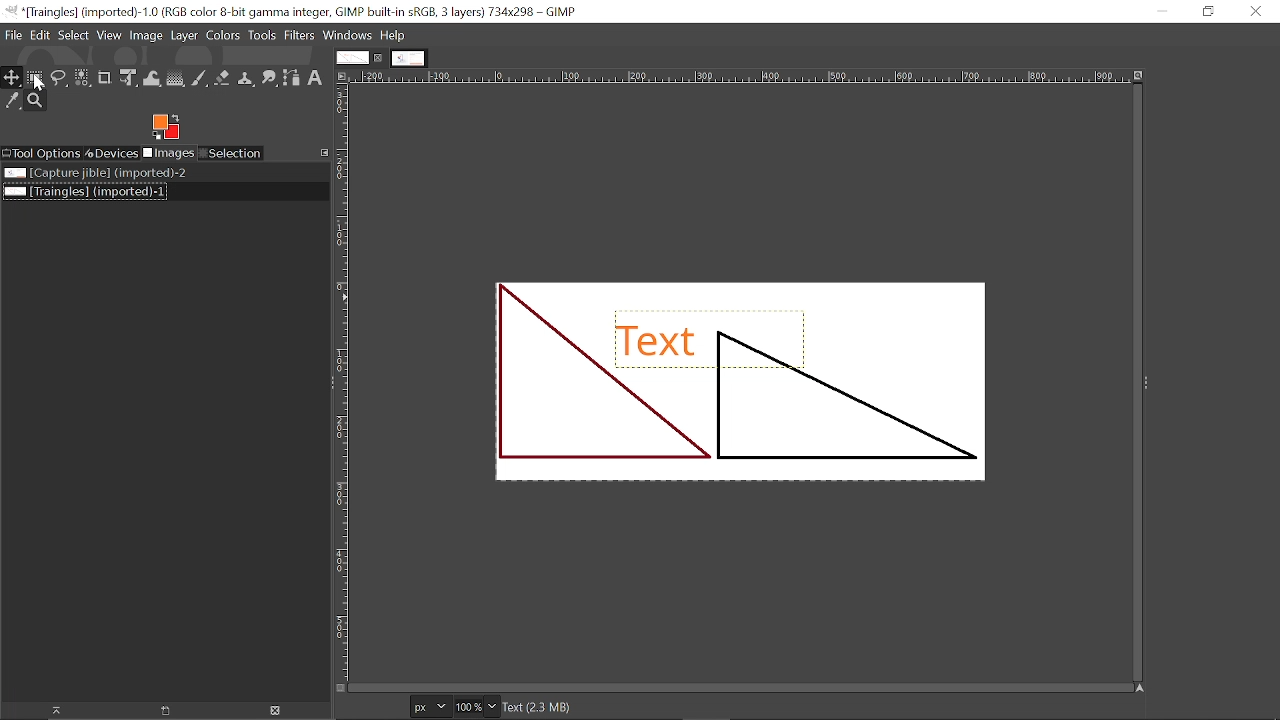  I want to click on Colors, so click(223, 36).